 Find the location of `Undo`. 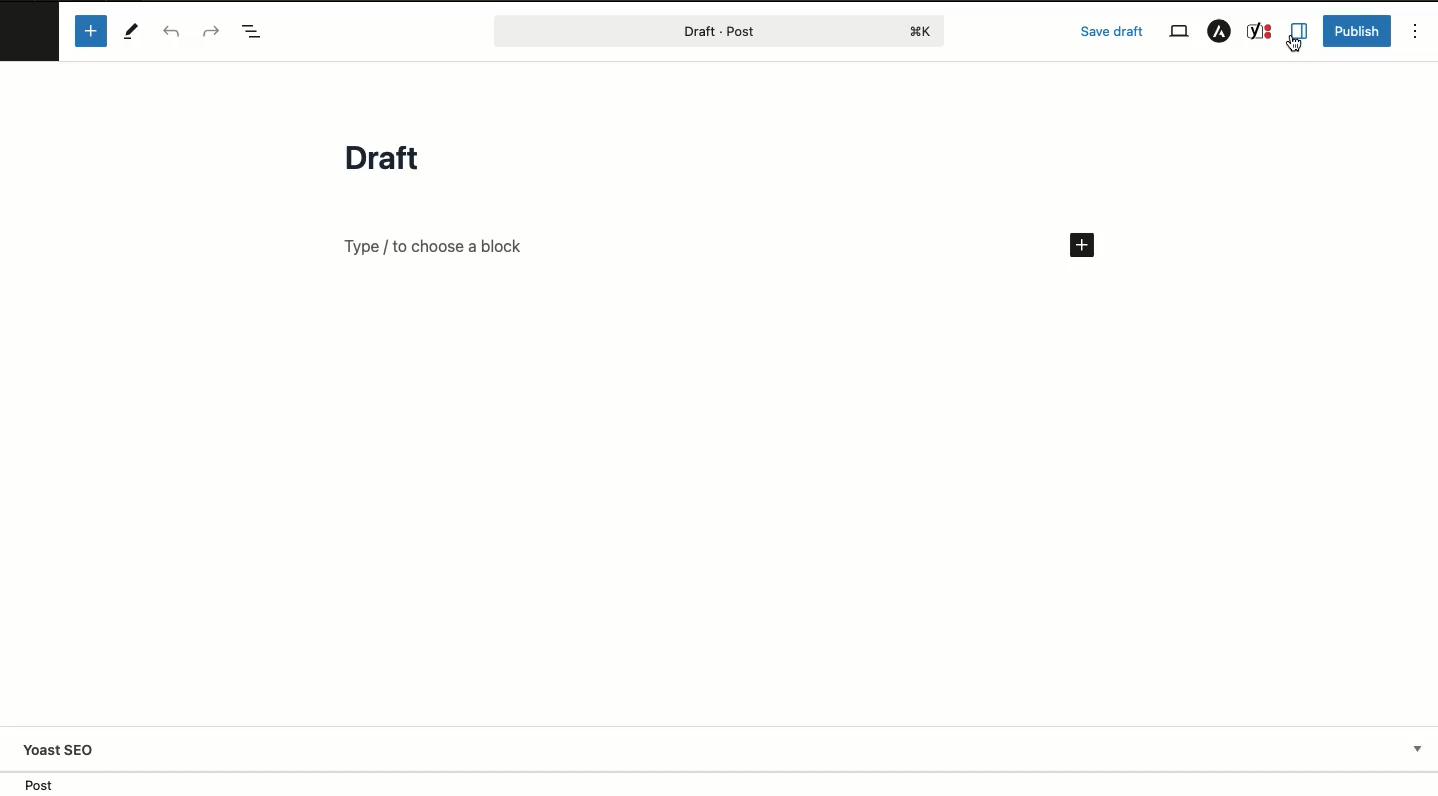

Undo is located at coordinates (175, 32).